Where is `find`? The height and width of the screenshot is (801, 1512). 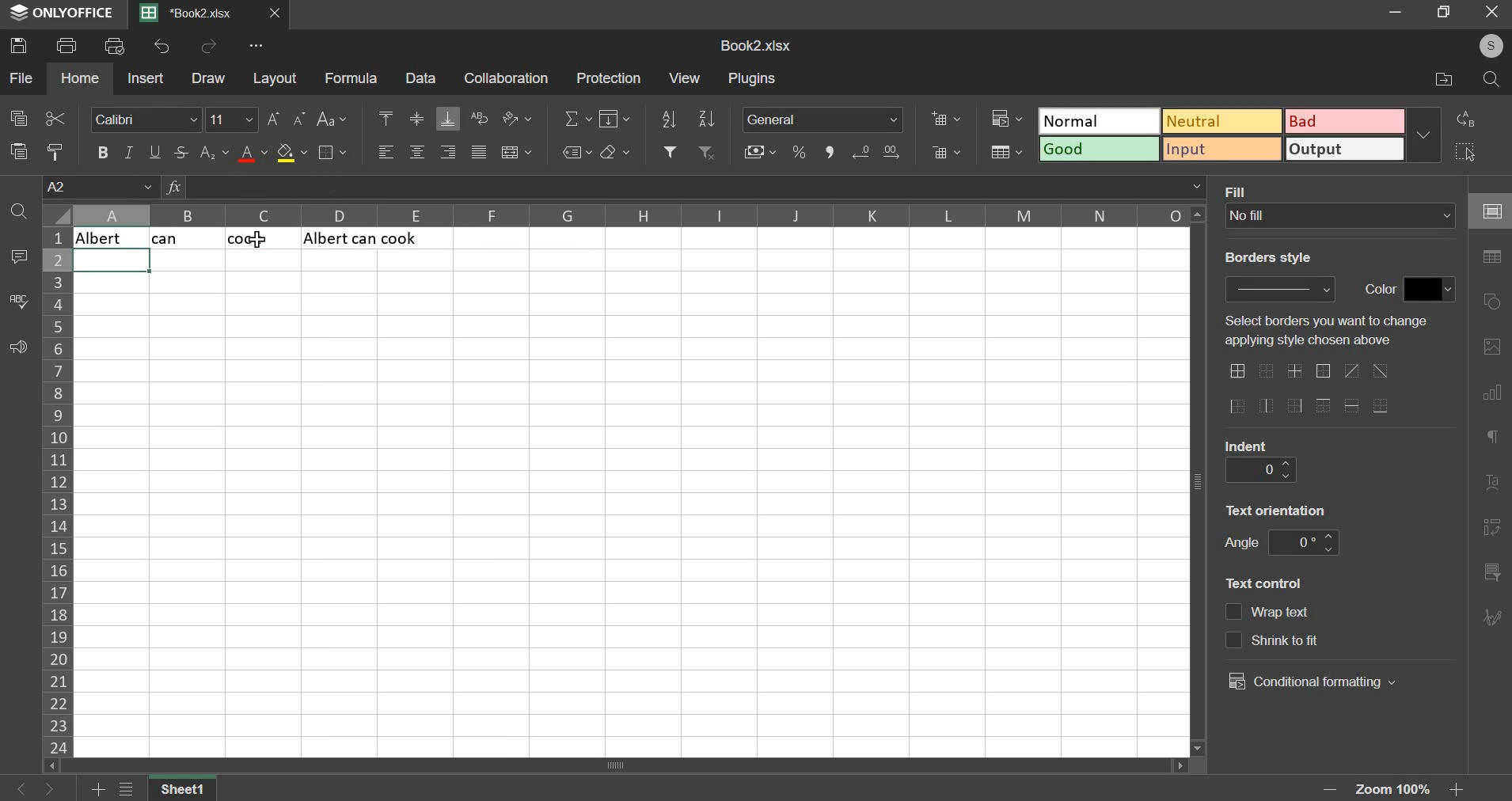
find is located at coordinates (17, 209).